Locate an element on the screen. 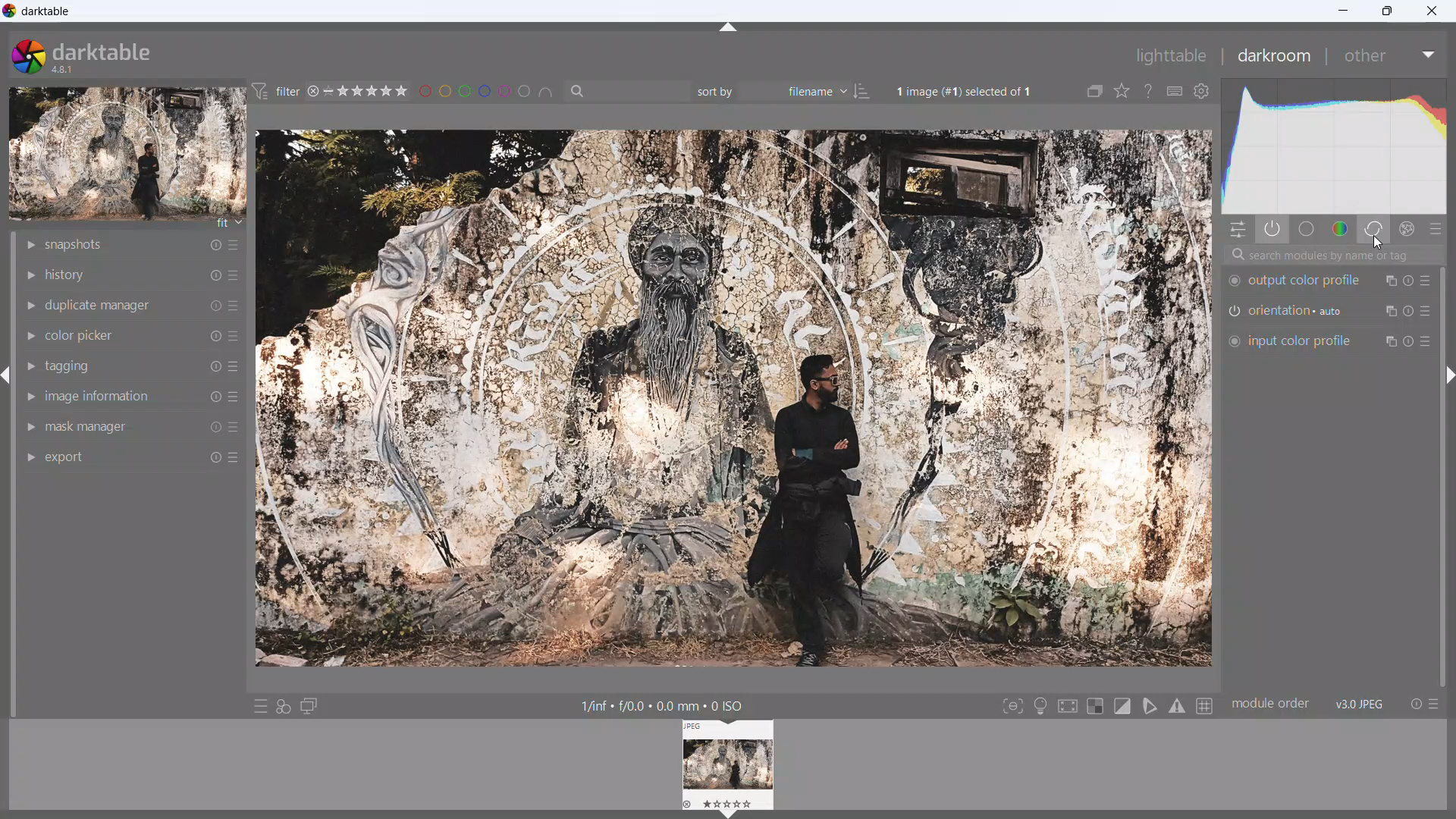  tagging is located at coordinates (71, 367).